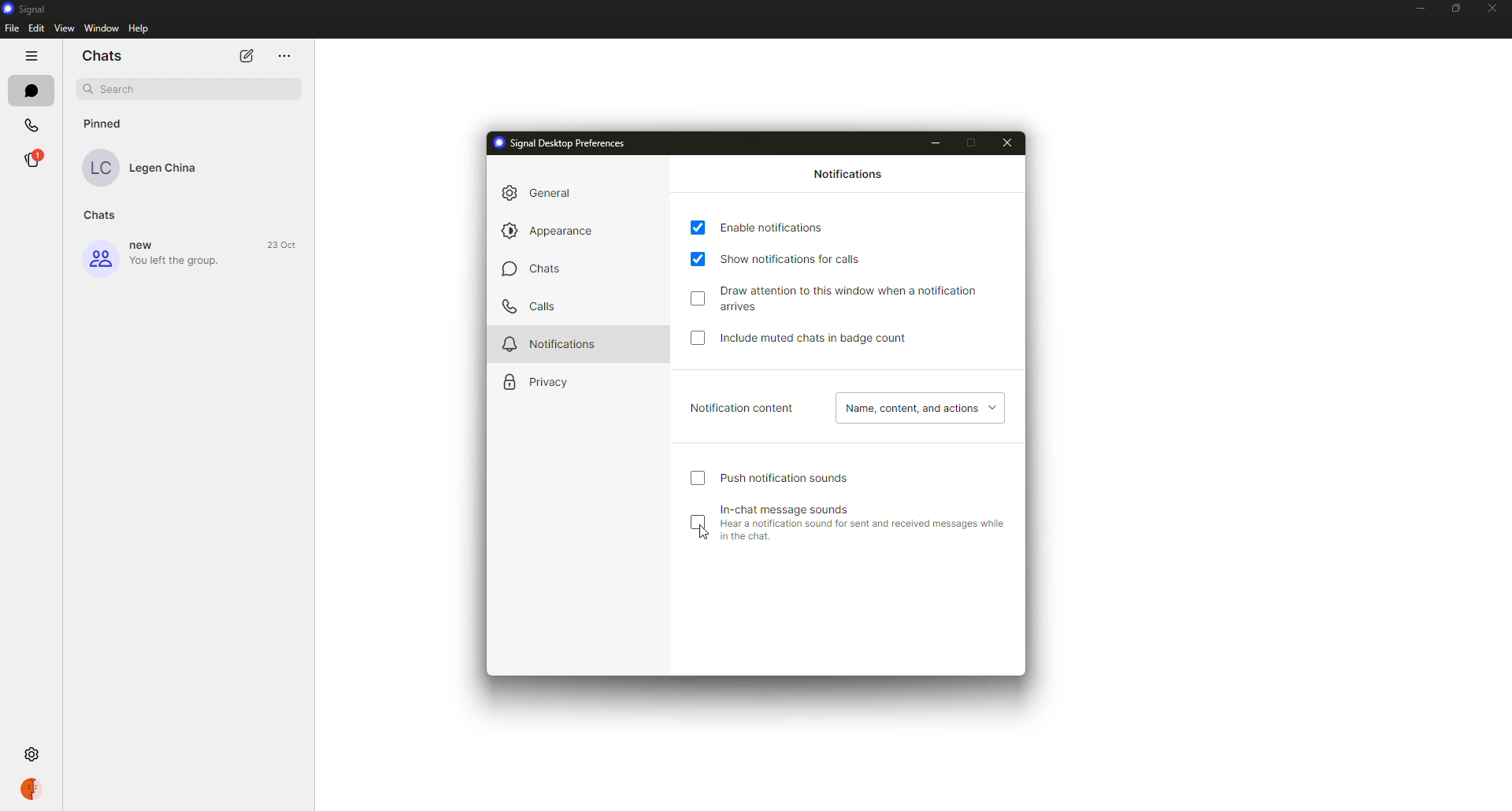  What do you see at coordinates (774, 228) in the screenshot?
I see `enable notification` at bounding box center [774, 228].